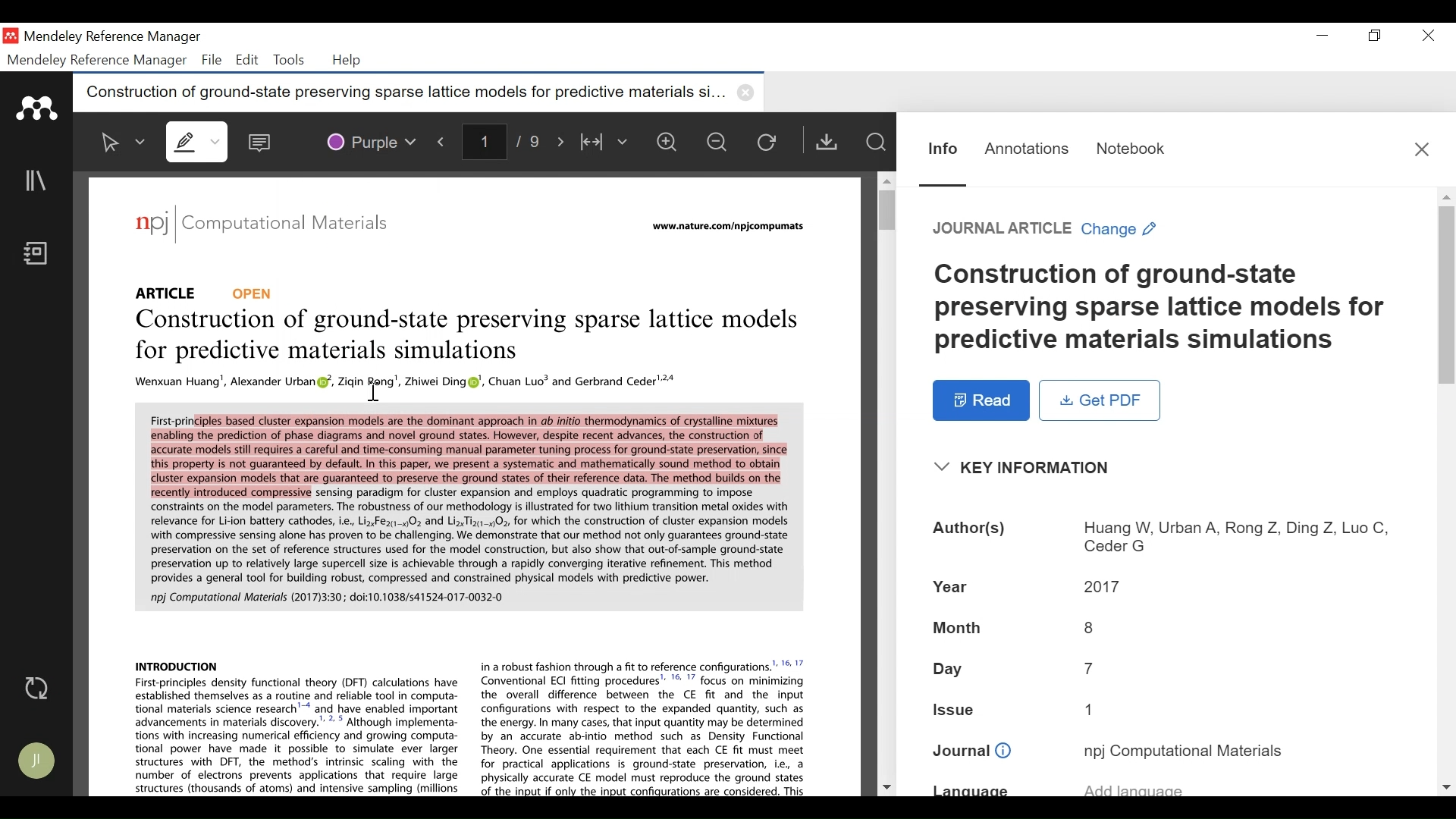  What do you see at coordinates (607, 142) in the screenshot?
I see `Fit to Width` at bounding box center [607, 142].